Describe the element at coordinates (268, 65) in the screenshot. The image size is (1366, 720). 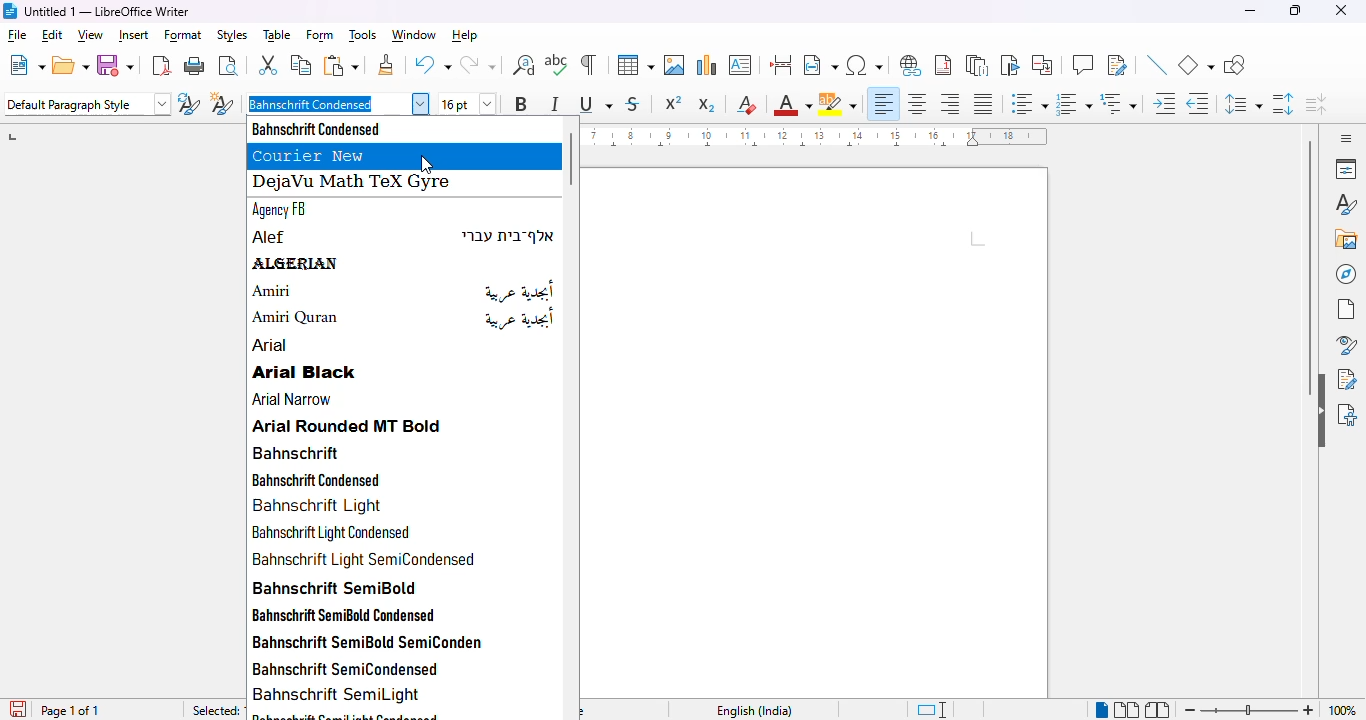
I see `cut` at that location.